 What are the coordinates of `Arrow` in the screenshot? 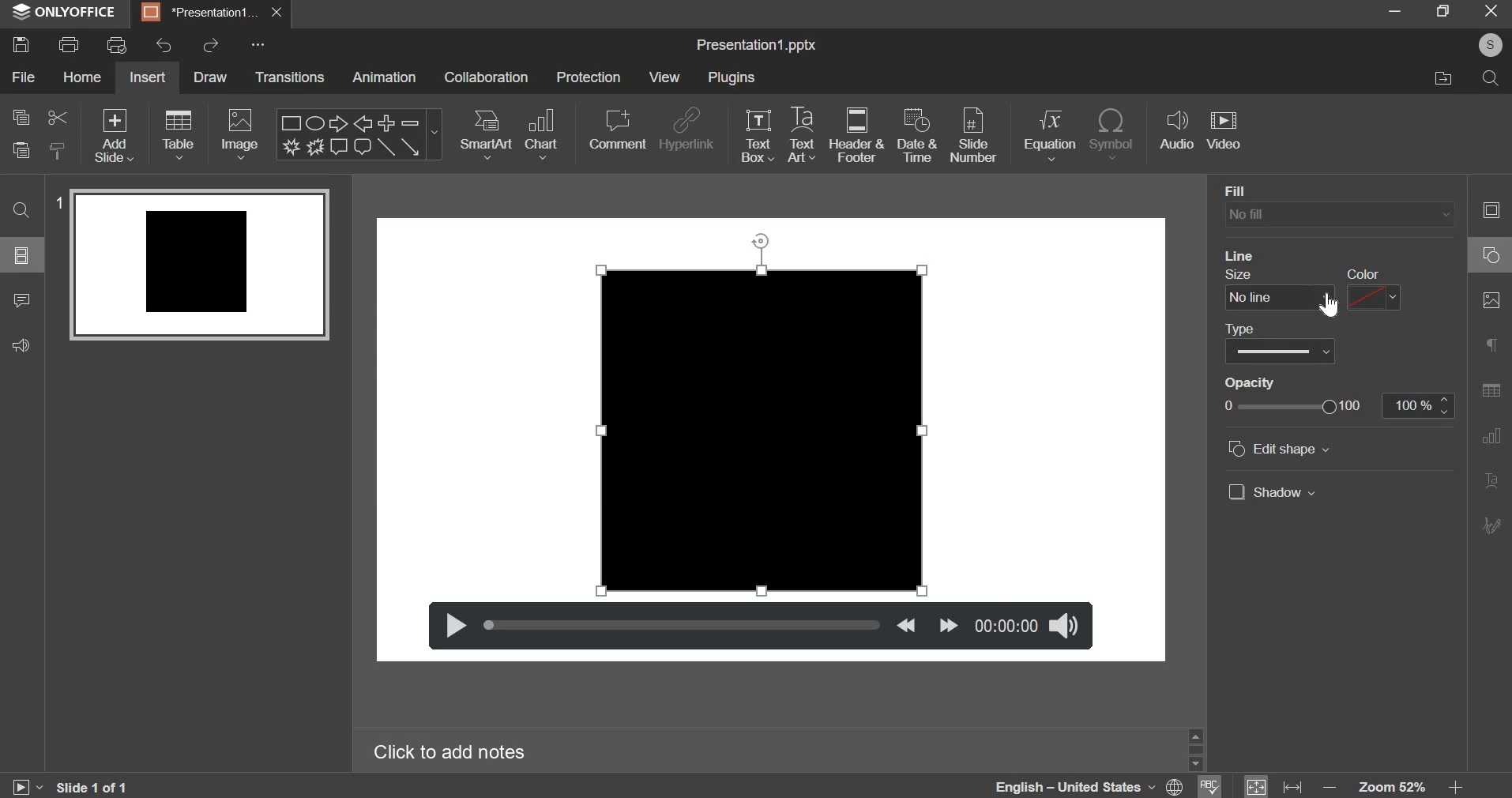 It's located at (340, 123).